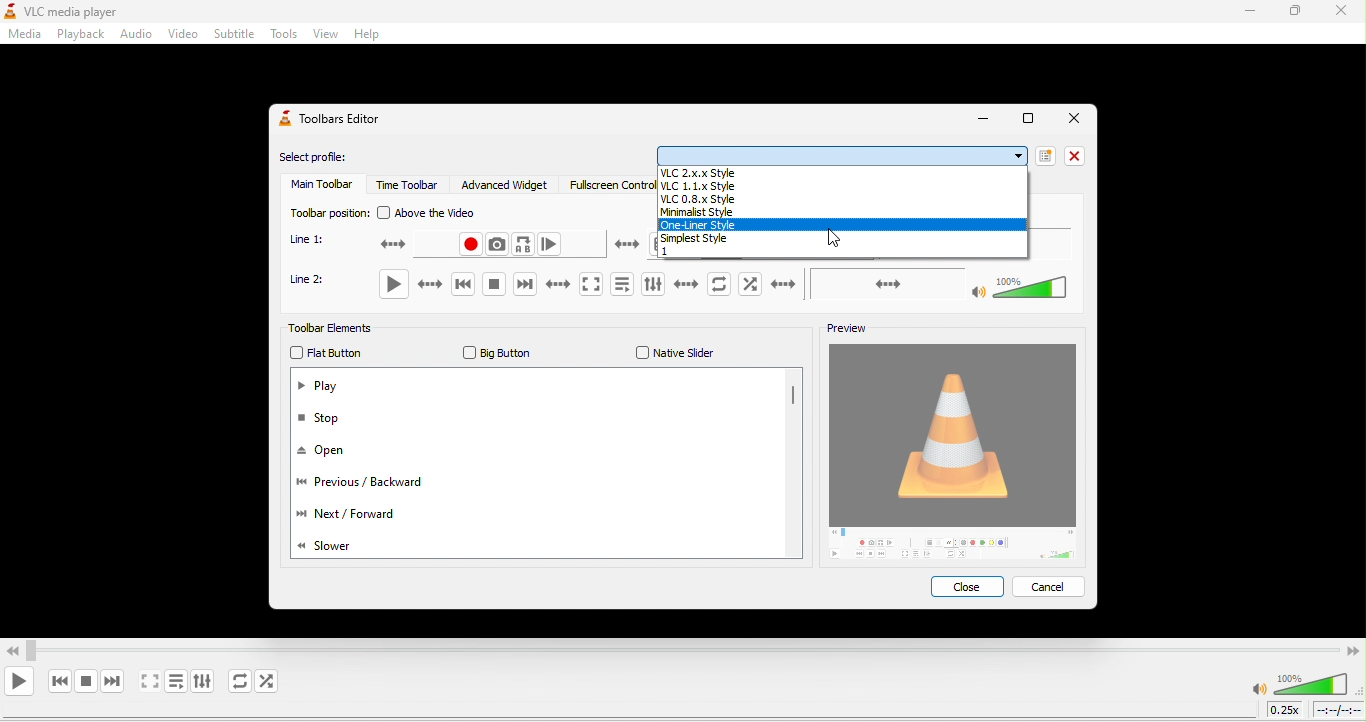  What do you see at coordinates (845, 238) in the screenshot?
I see `simplest style` at bounding box center [845, 238].